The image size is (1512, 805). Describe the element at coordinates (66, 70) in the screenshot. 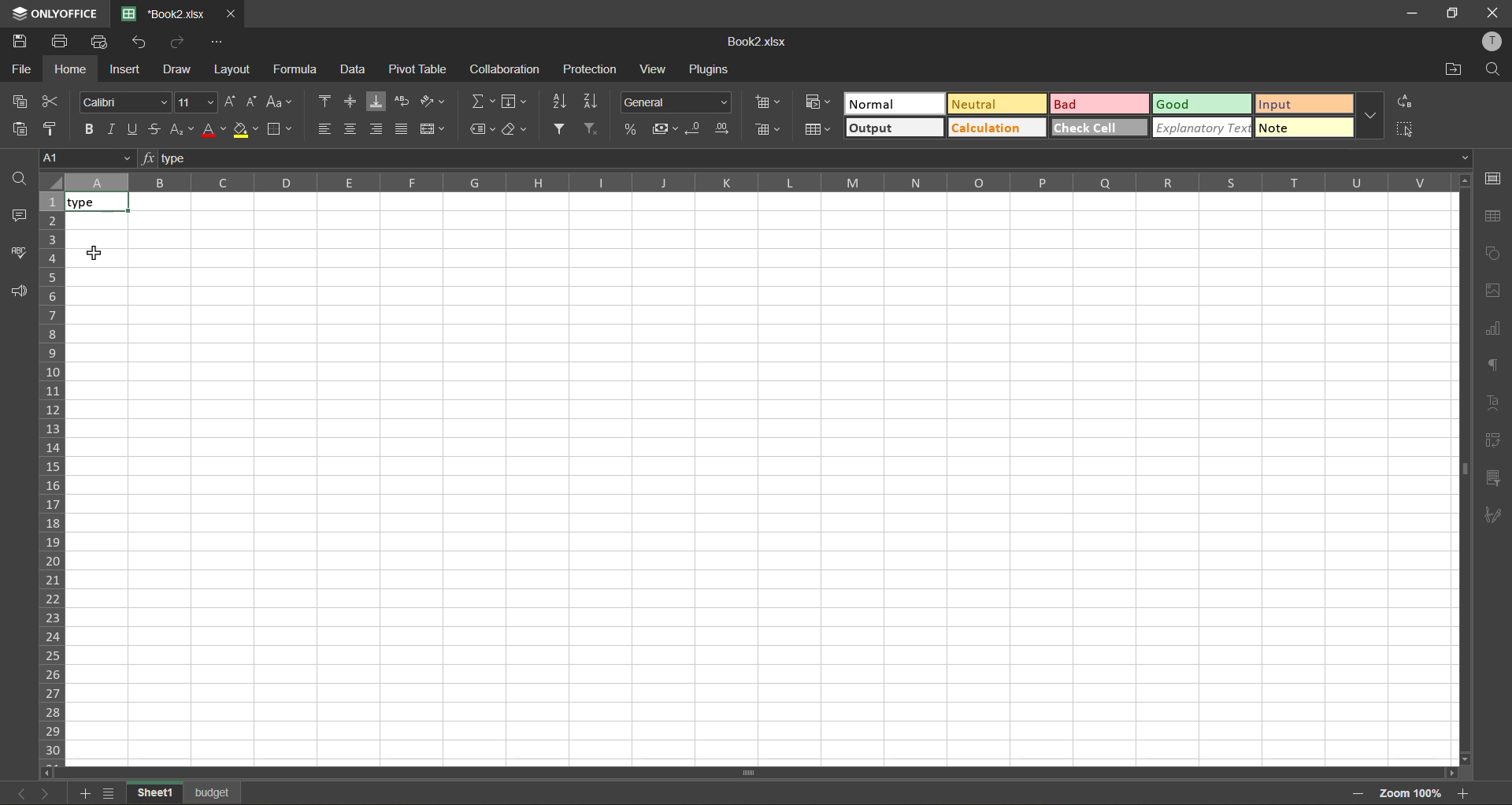

I see `home` at that location.